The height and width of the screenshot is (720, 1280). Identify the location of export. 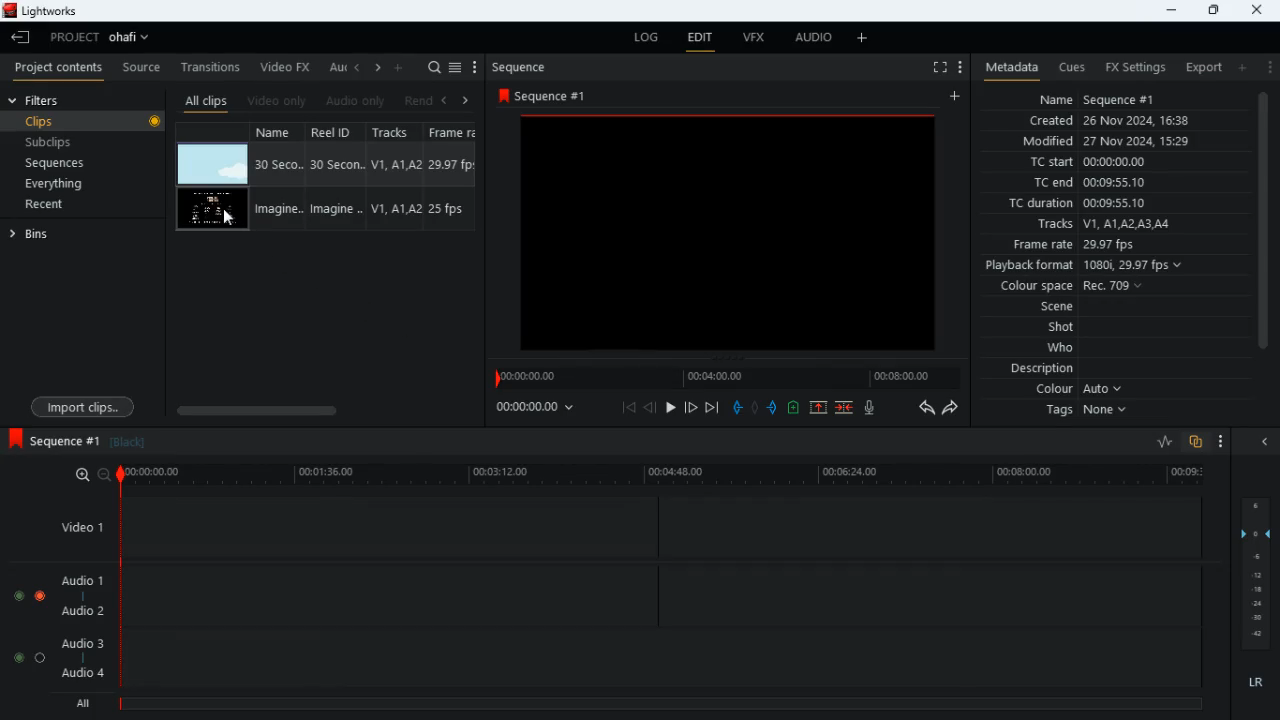
(1198, 68).